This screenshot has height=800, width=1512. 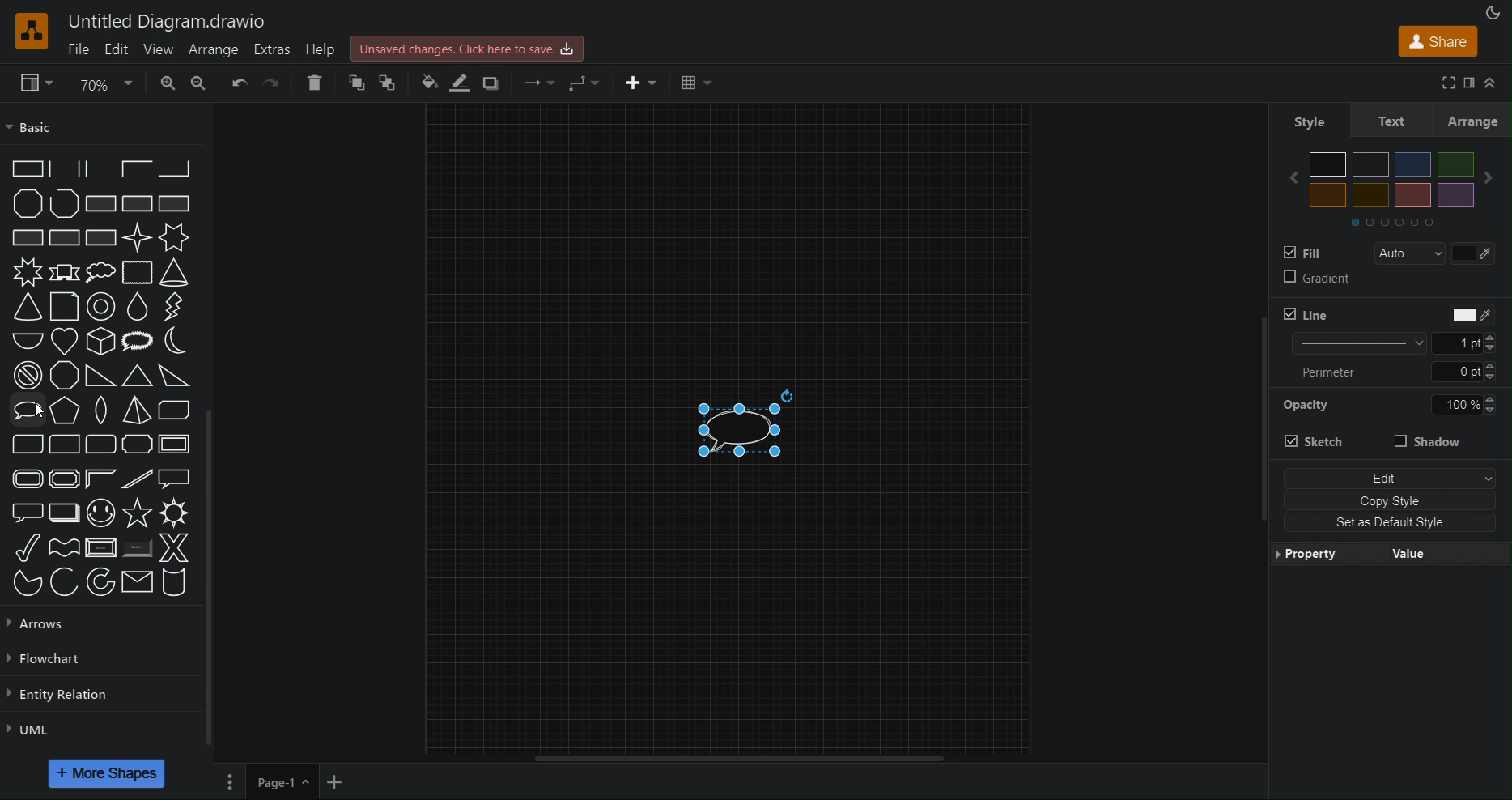 I want to click on Partial Rectangle, so click(x=176, y=169).